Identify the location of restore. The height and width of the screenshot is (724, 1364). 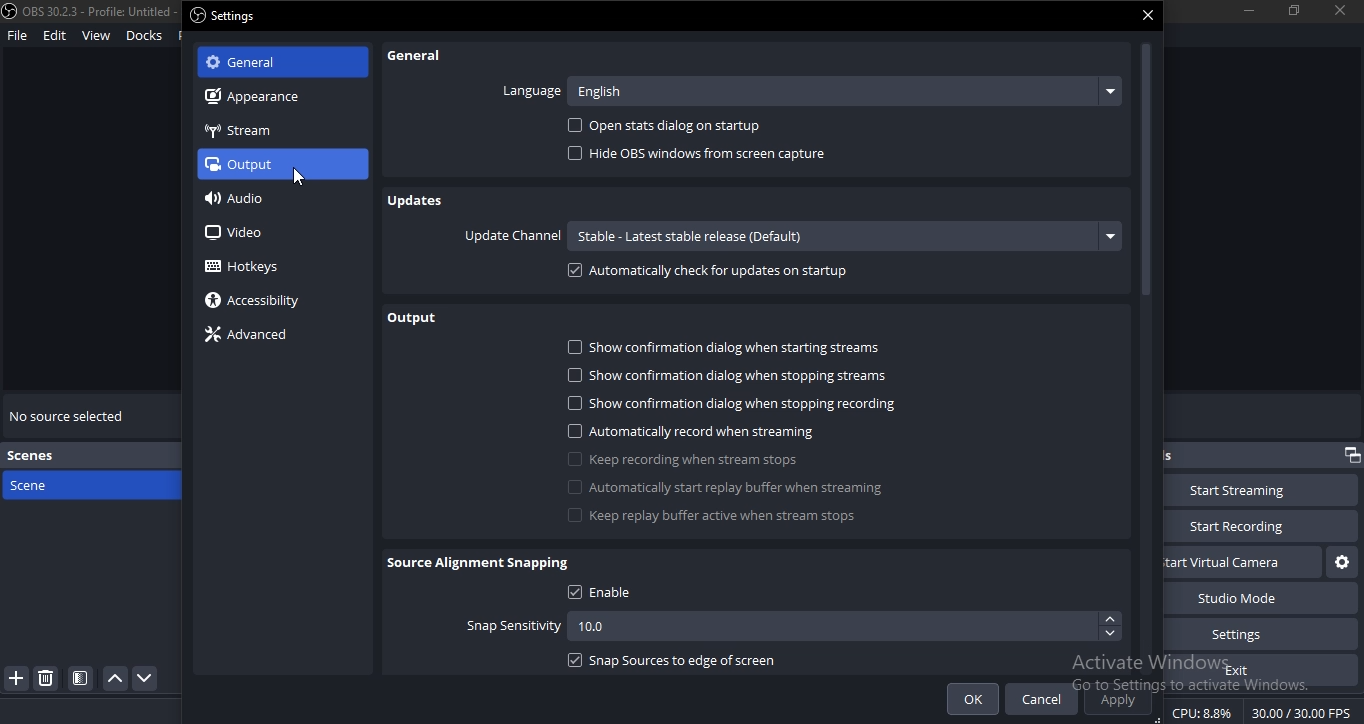
(1350, 455).